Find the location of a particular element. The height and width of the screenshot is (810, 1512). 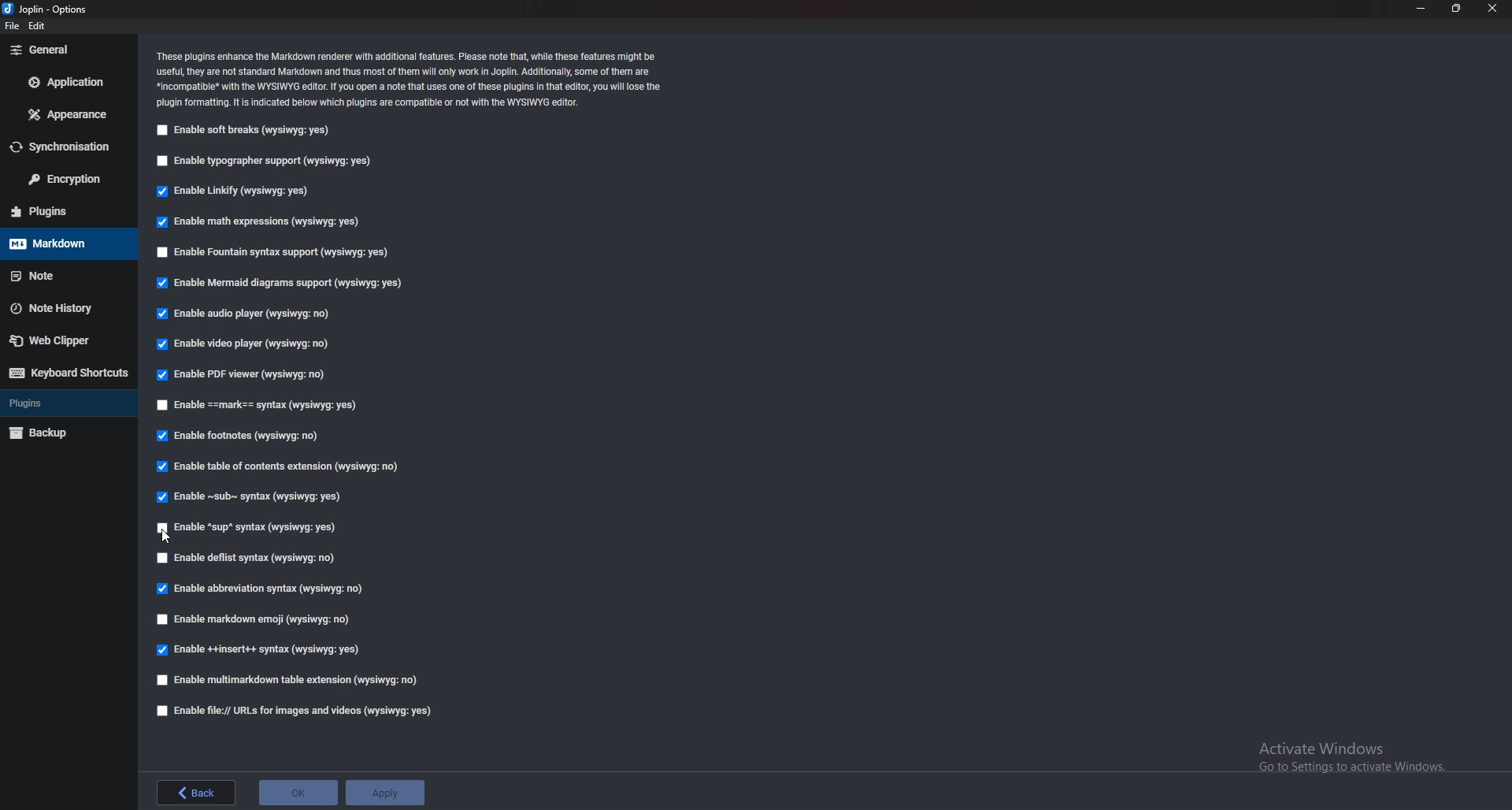

Appearance is located at coordinates (70, 113).